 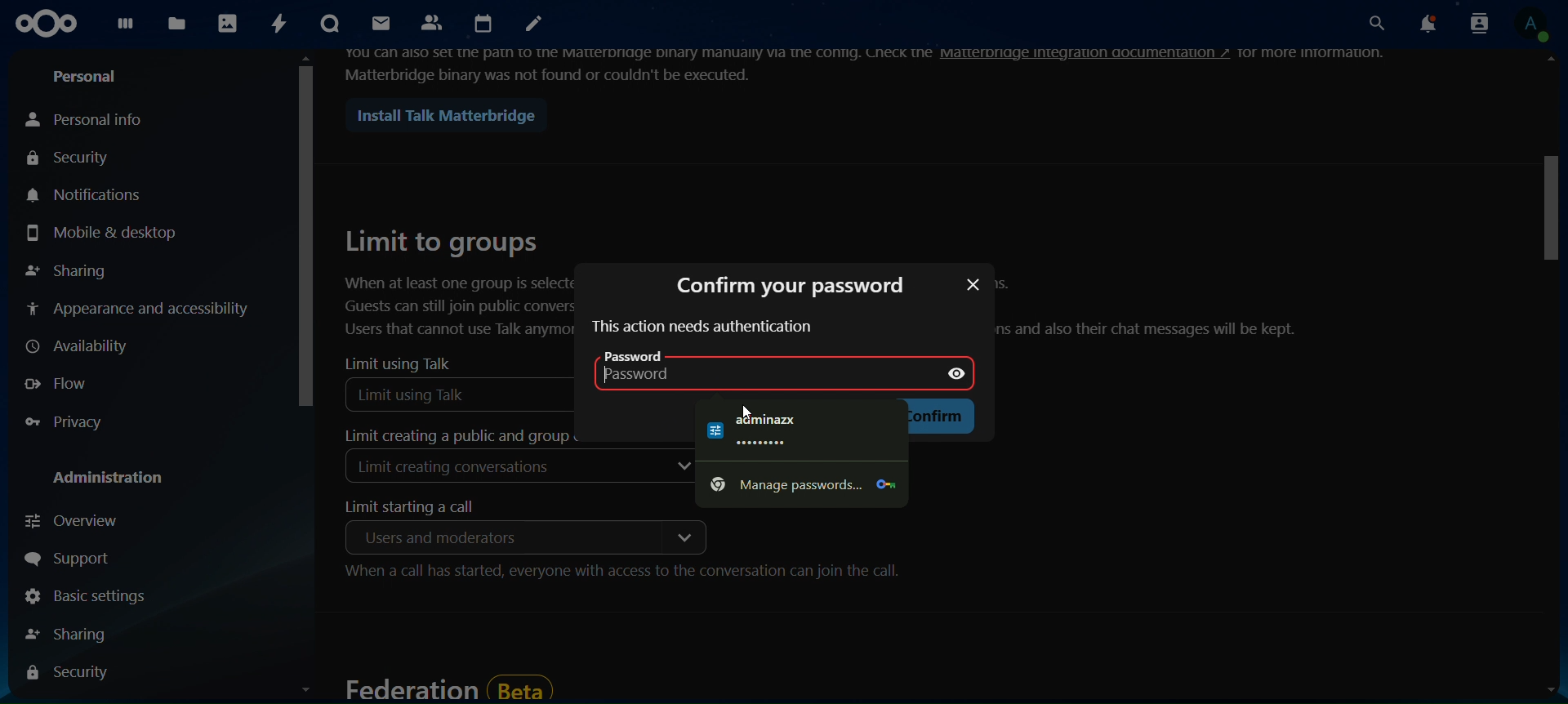 What do you see at coordinates (327, 25) in the screenshot?
I see `talk` at bounding box center [327, 25].